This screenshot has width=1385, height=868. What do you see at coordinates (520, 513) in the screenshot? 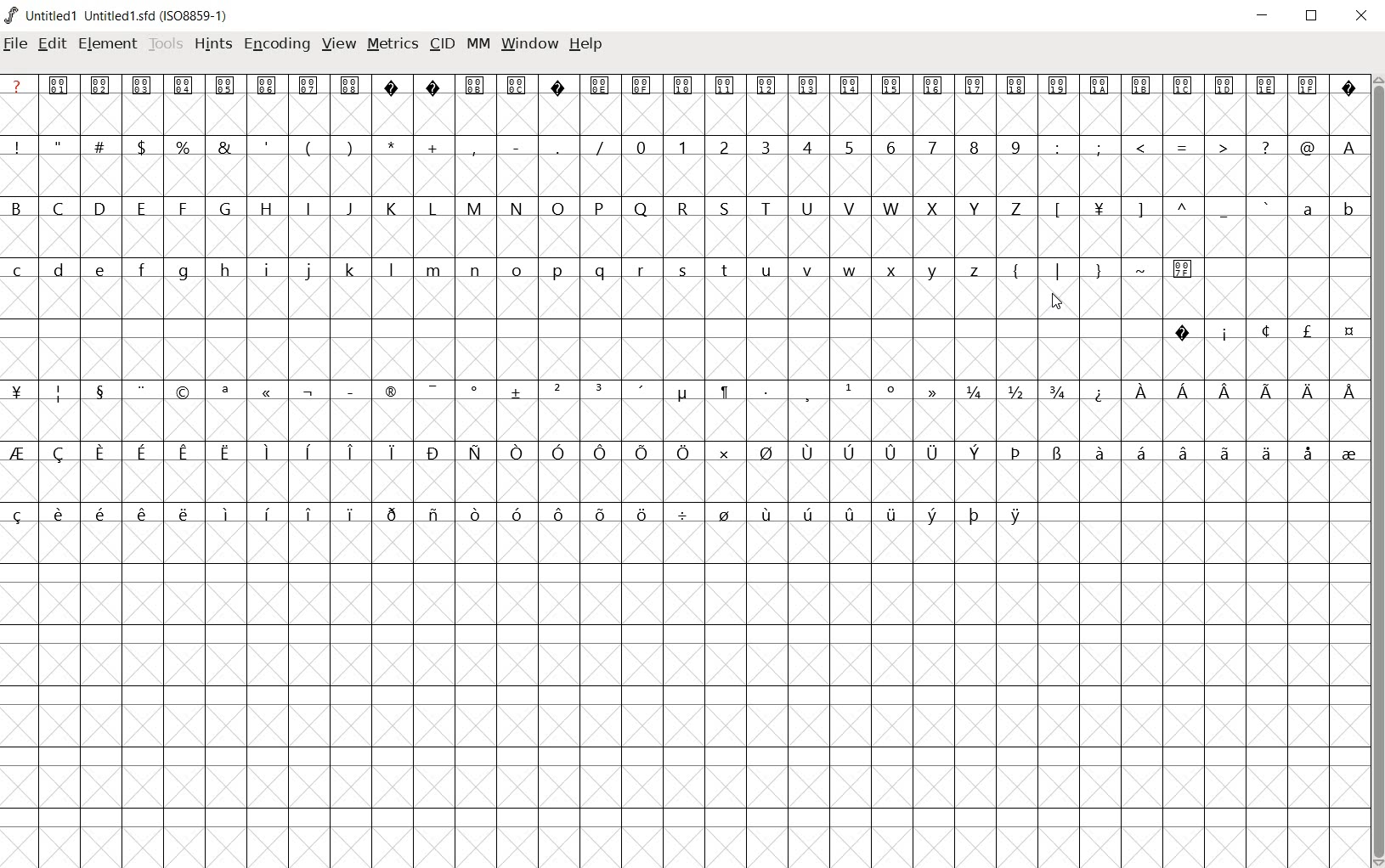
I see `special letters` at bounding box center [520, 513].